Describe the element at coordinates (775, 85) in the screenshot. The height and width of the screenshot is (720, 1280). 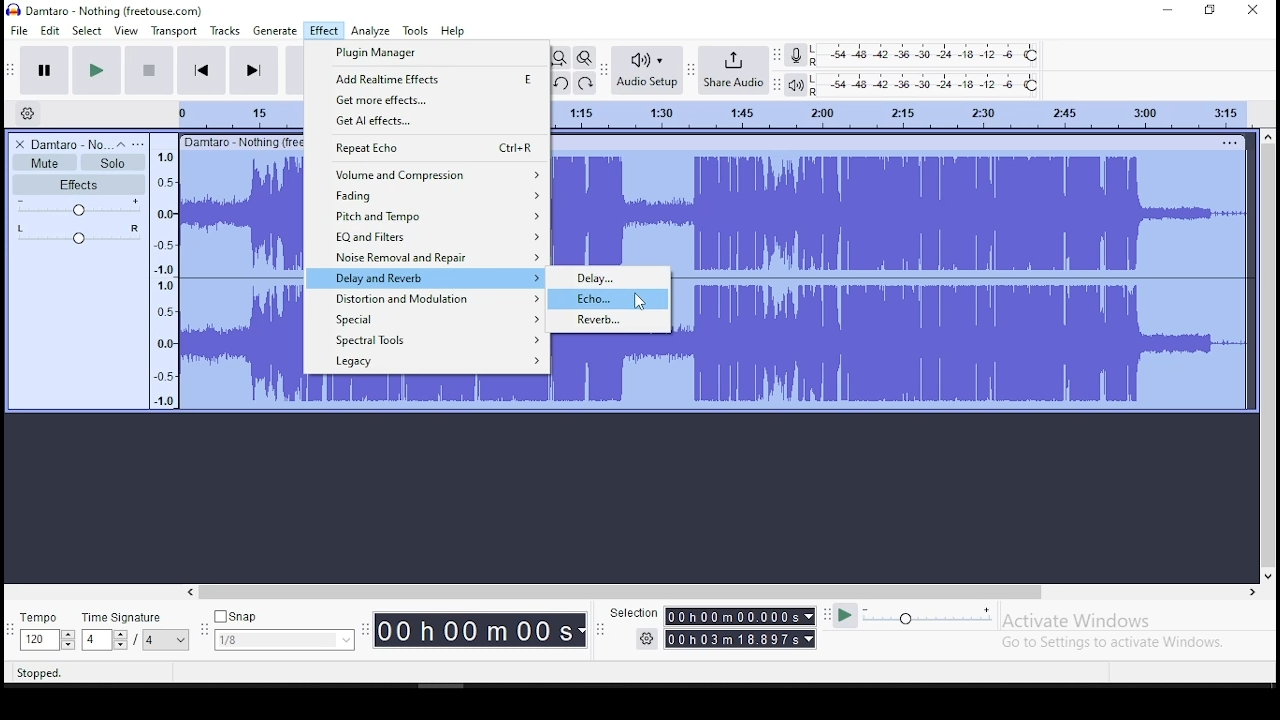
I see `` at that location.